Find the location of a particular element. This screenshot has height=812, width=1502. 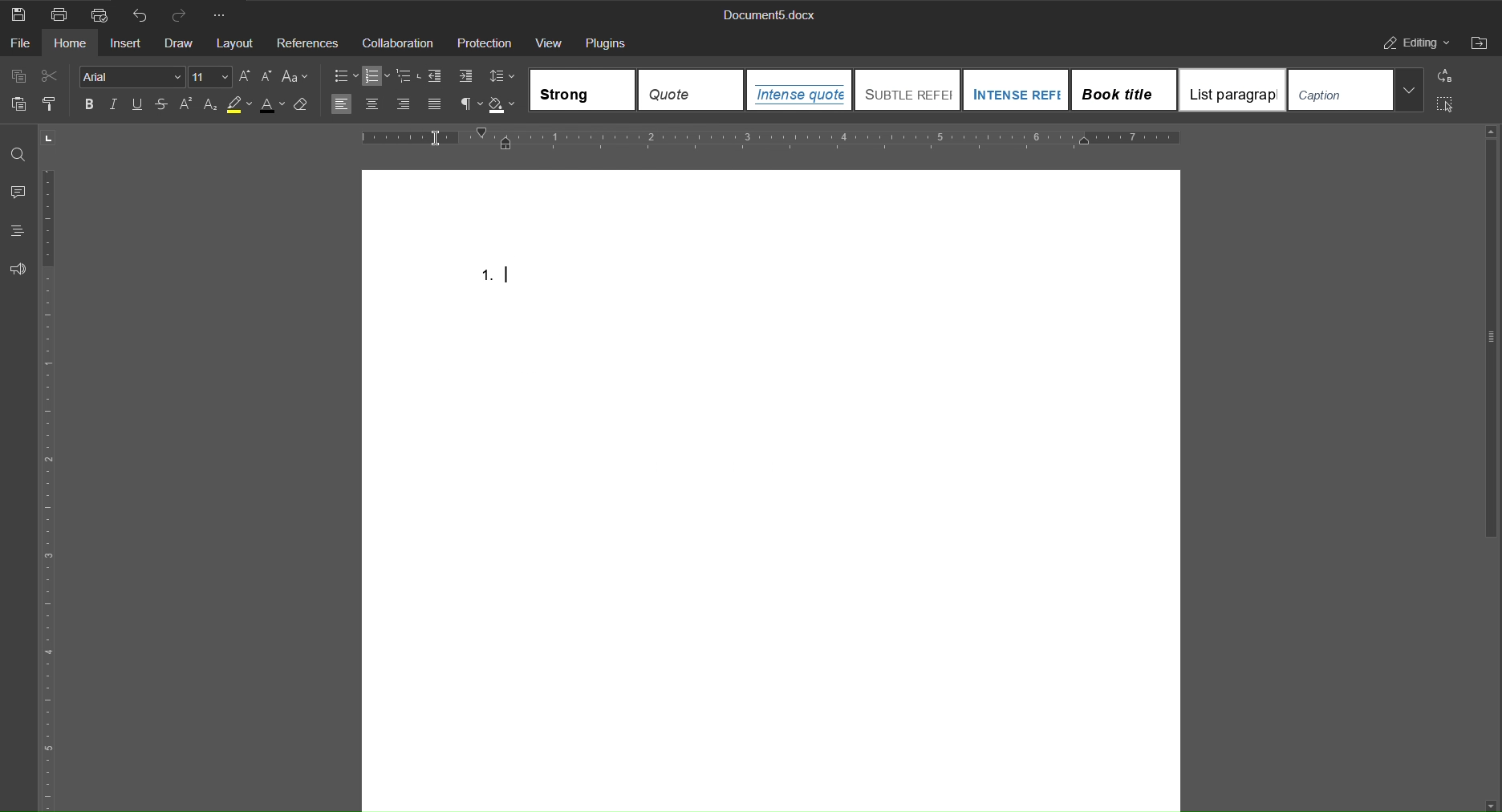

Vertical Ruler is located at coordinates (51, 486).